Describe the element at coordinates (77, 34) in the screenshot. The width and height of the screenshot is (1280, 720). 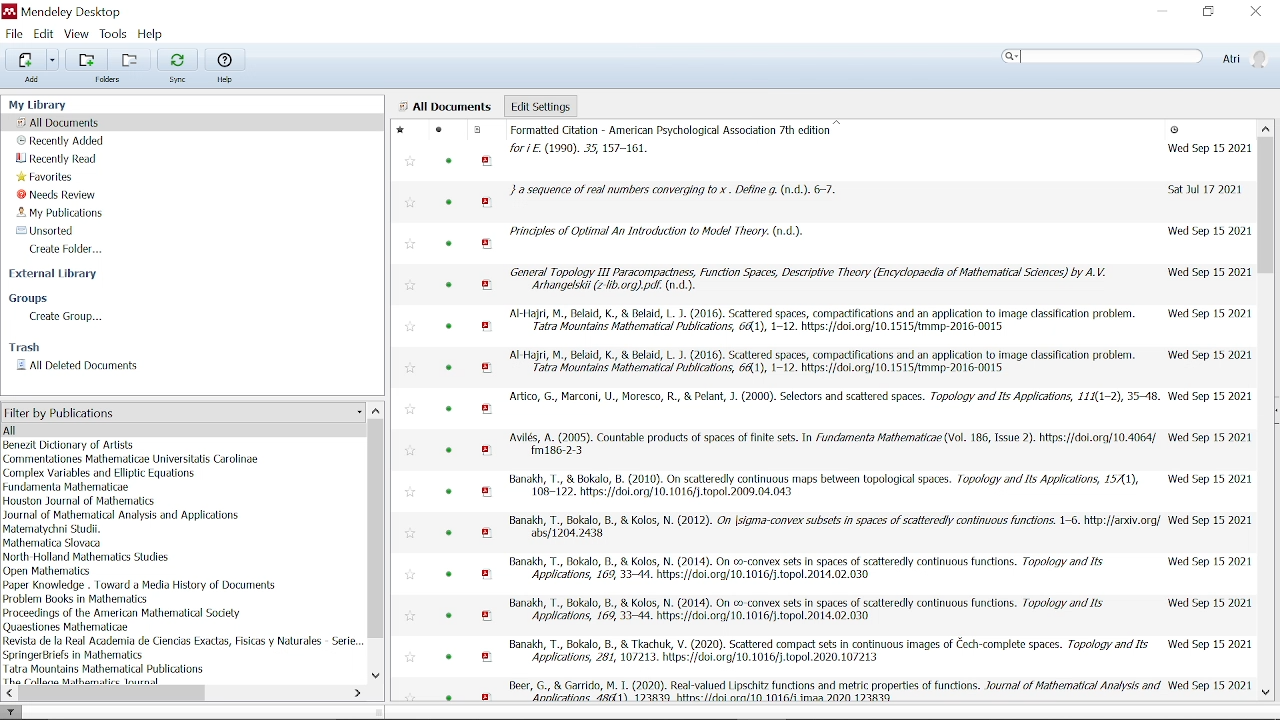
I see `View` at that location.